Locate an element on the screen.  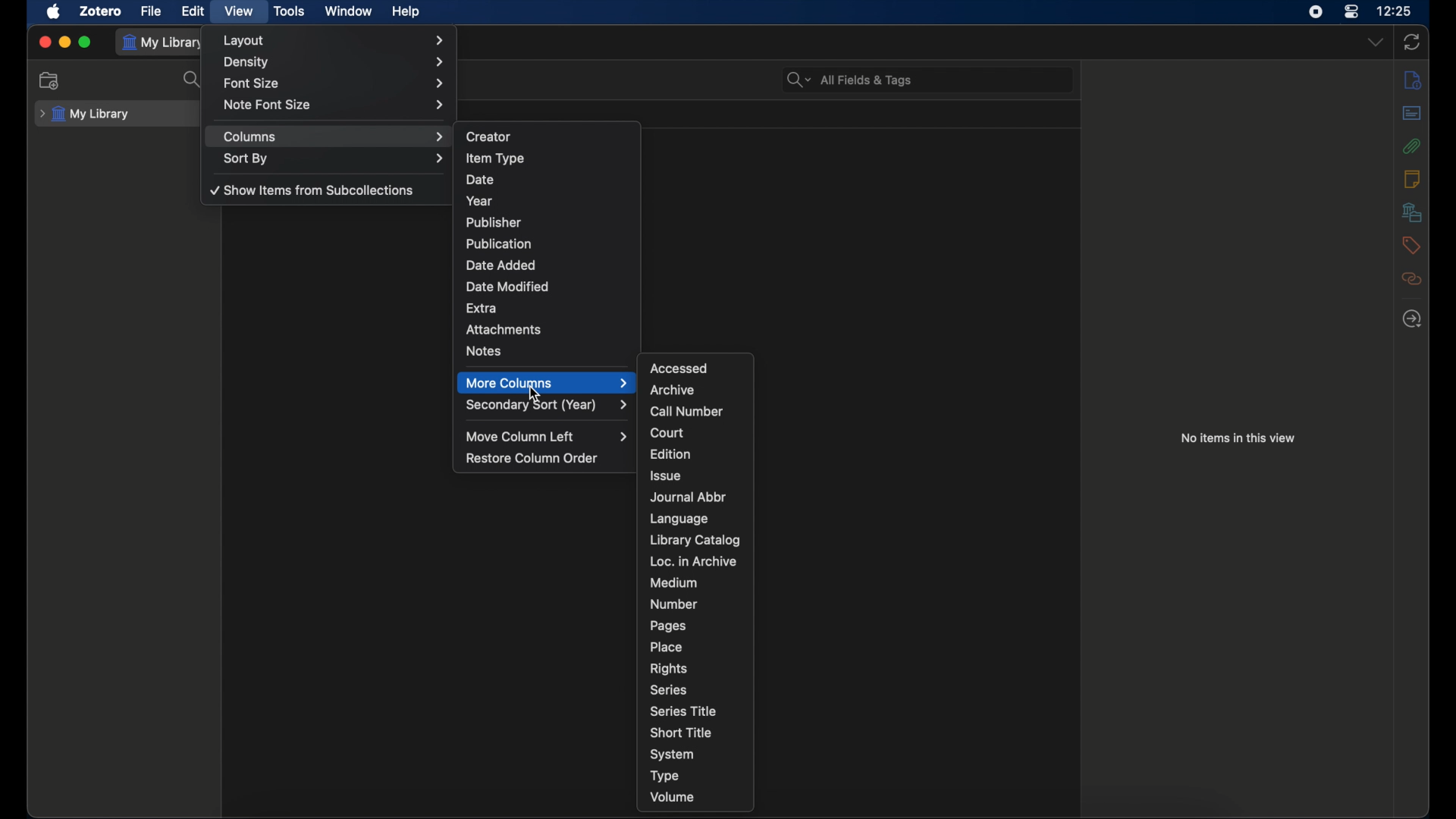
new collection is located at coordinates (49, 81).